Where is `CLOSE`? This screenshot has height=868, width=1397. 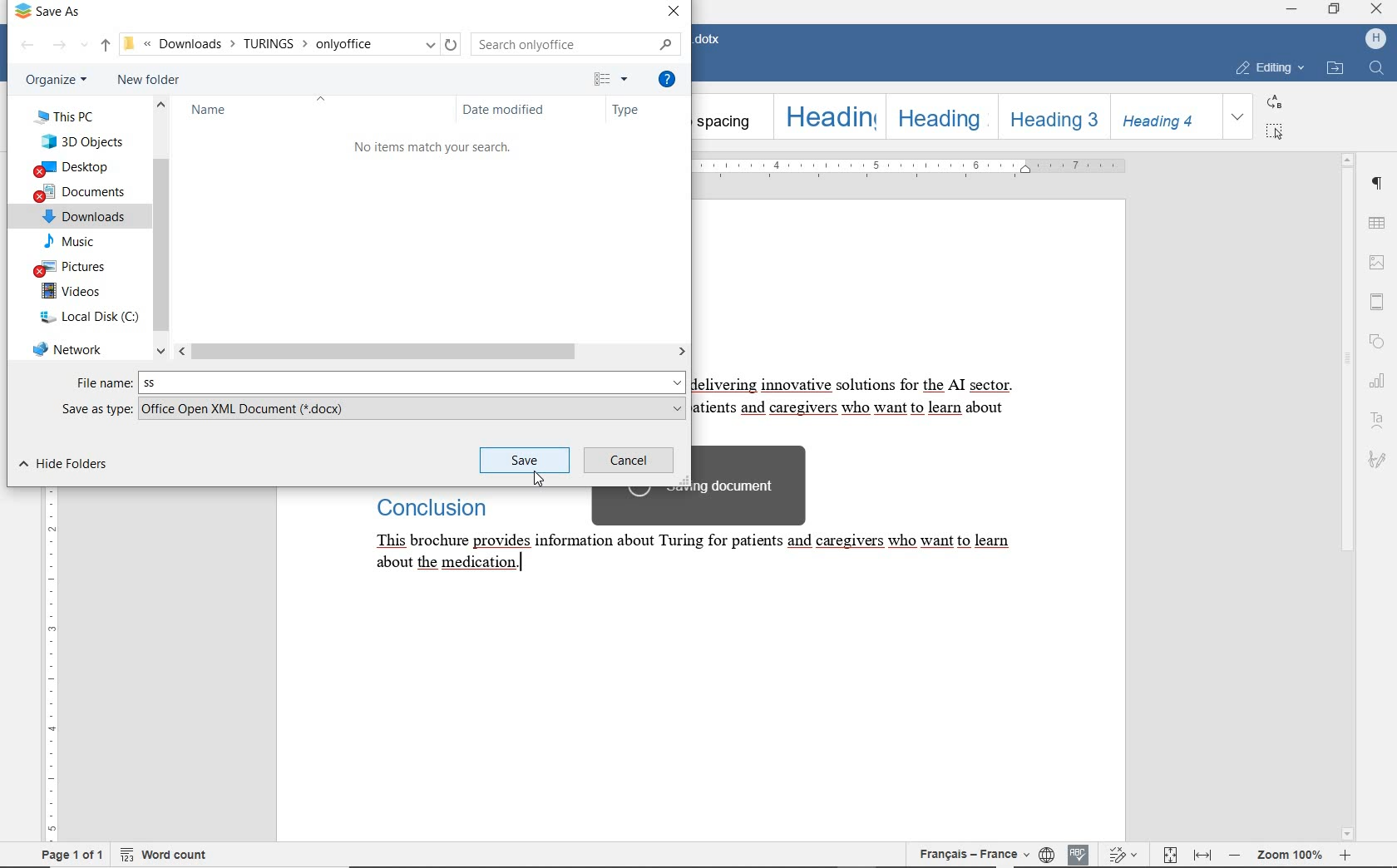
CLOSE is located at coordinates (676, 12).